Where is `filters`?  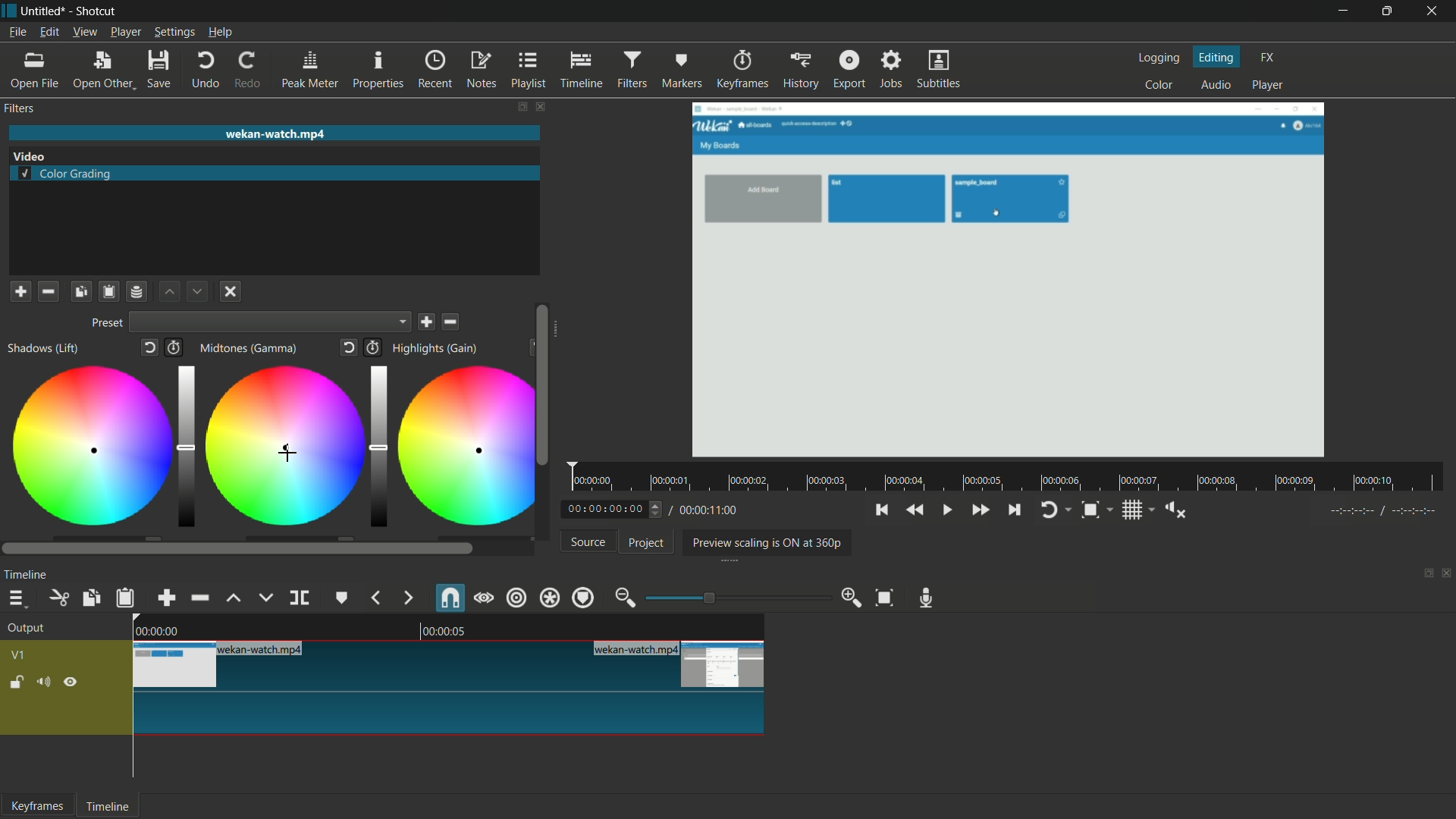
filters is located at coordinates (633, 70).